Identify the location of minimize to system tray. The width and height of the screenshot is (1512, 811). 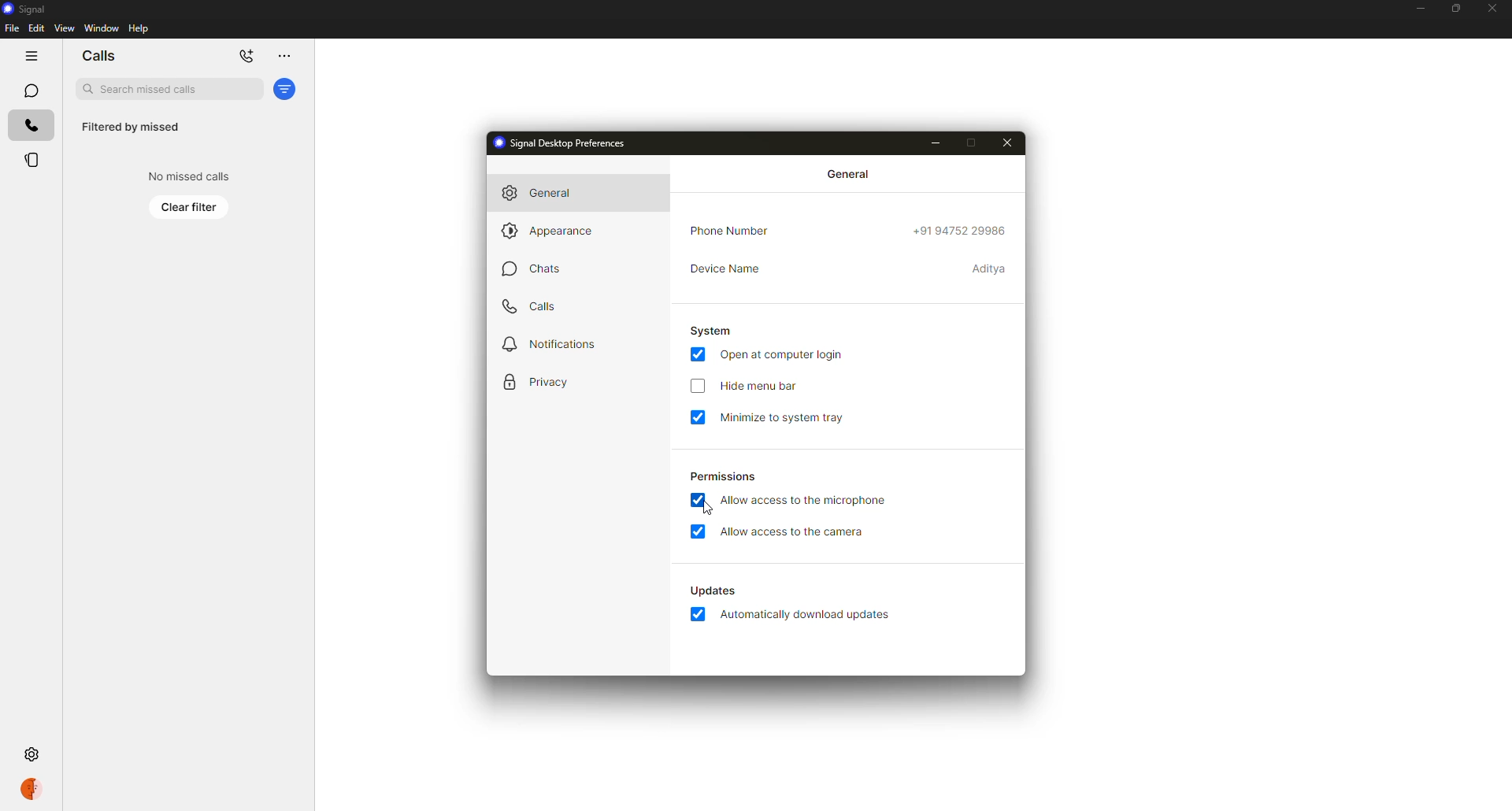
(787, 417).